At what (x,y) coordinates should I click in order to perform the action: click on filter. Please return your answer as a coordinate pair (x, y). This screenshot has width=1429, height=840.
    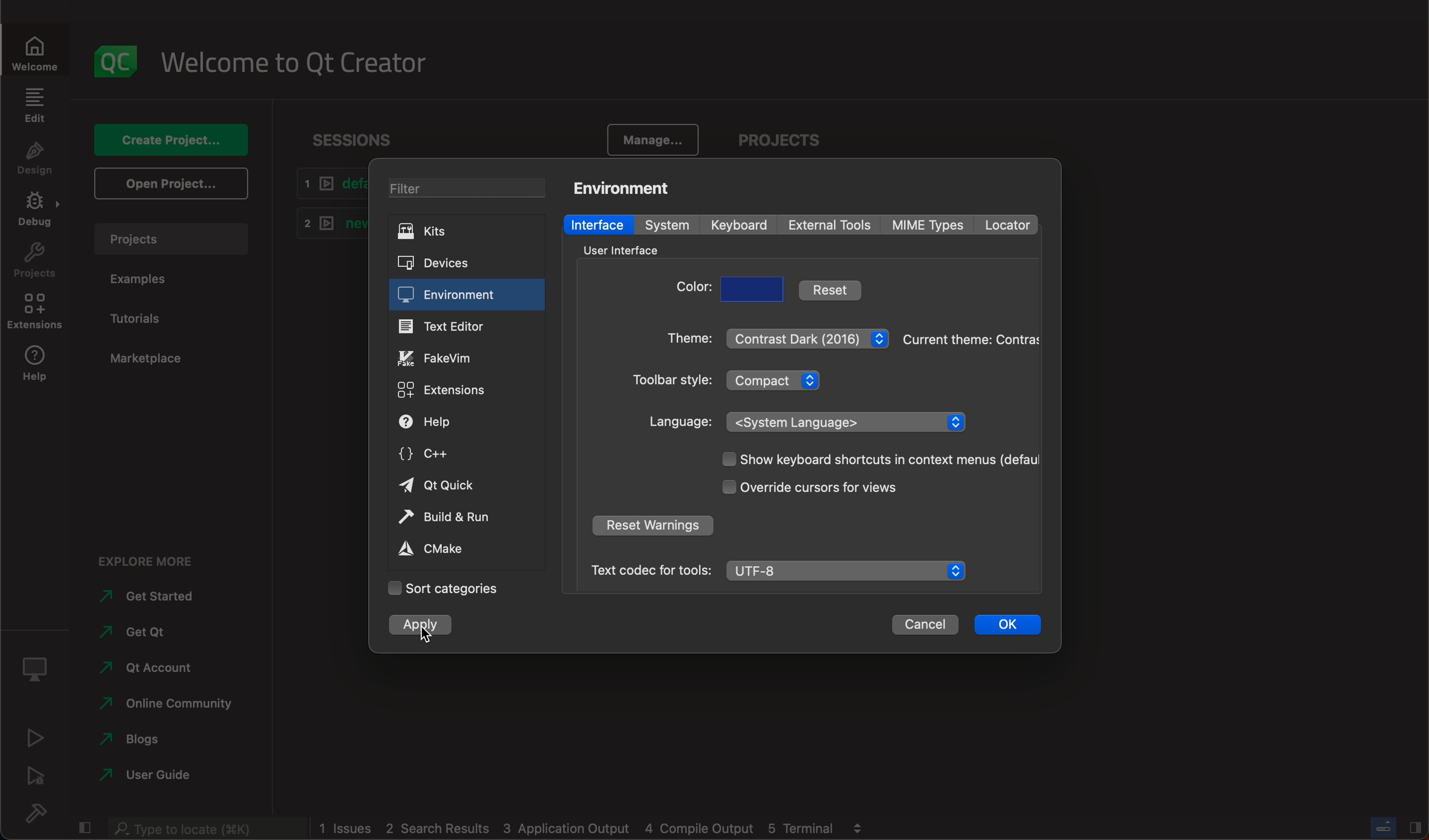
    Looking at the image, I should click on (462, 186).